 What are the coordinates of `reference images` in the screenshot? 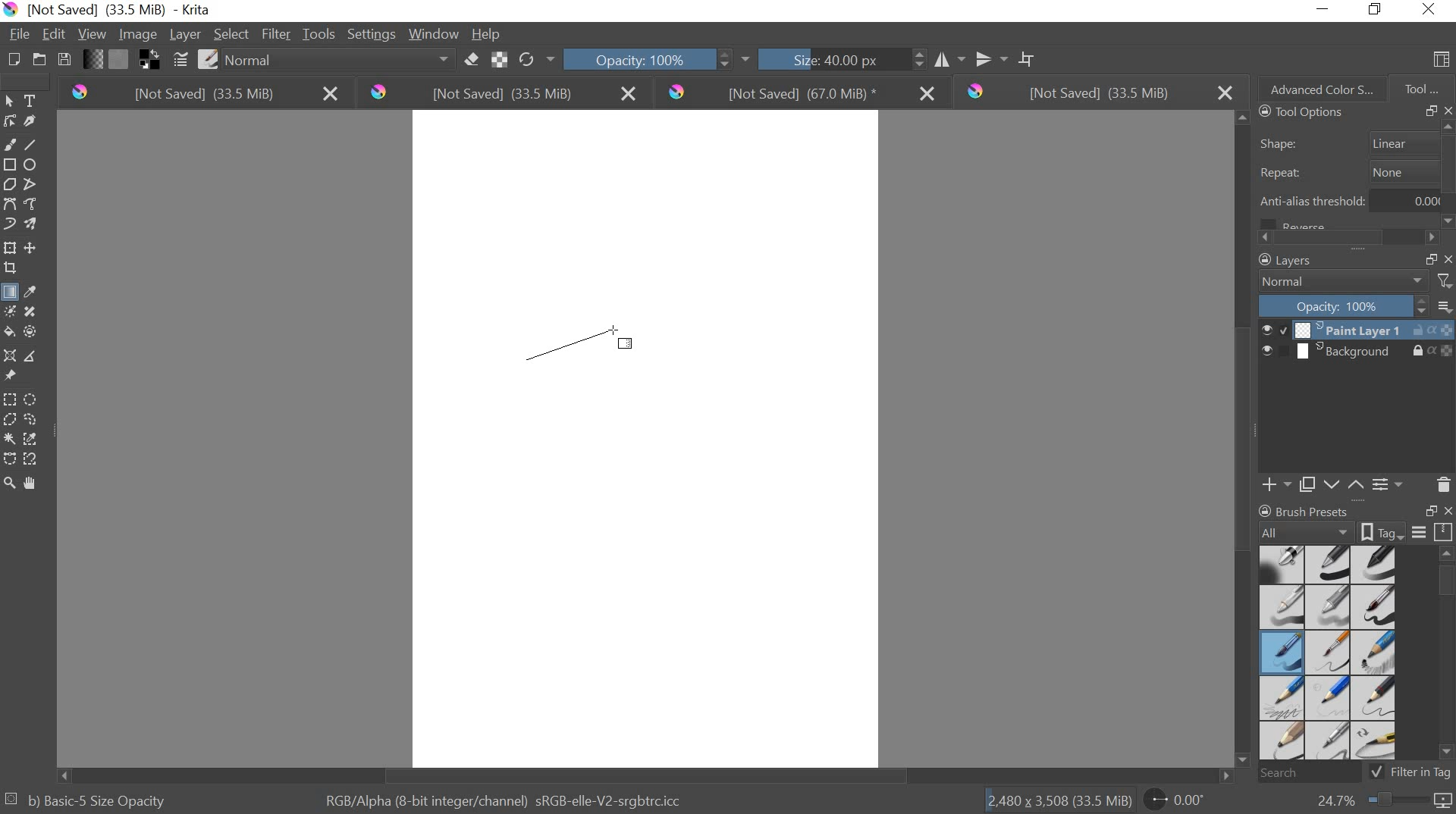 It's located at (13, 375).